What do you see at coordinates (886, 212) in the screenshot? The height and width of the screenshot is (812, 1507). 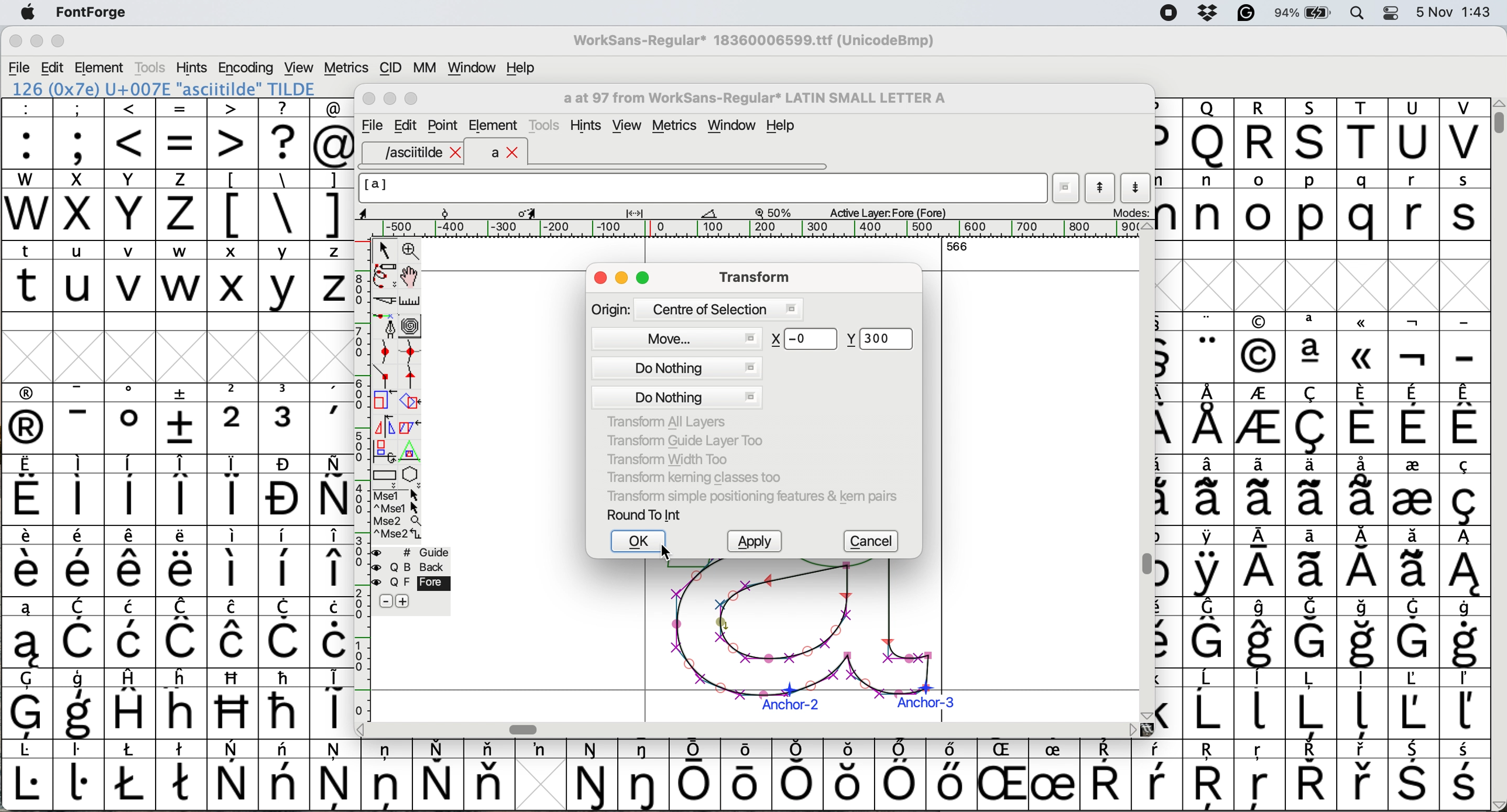 I see `active layer` at bounding box center [886, 212].